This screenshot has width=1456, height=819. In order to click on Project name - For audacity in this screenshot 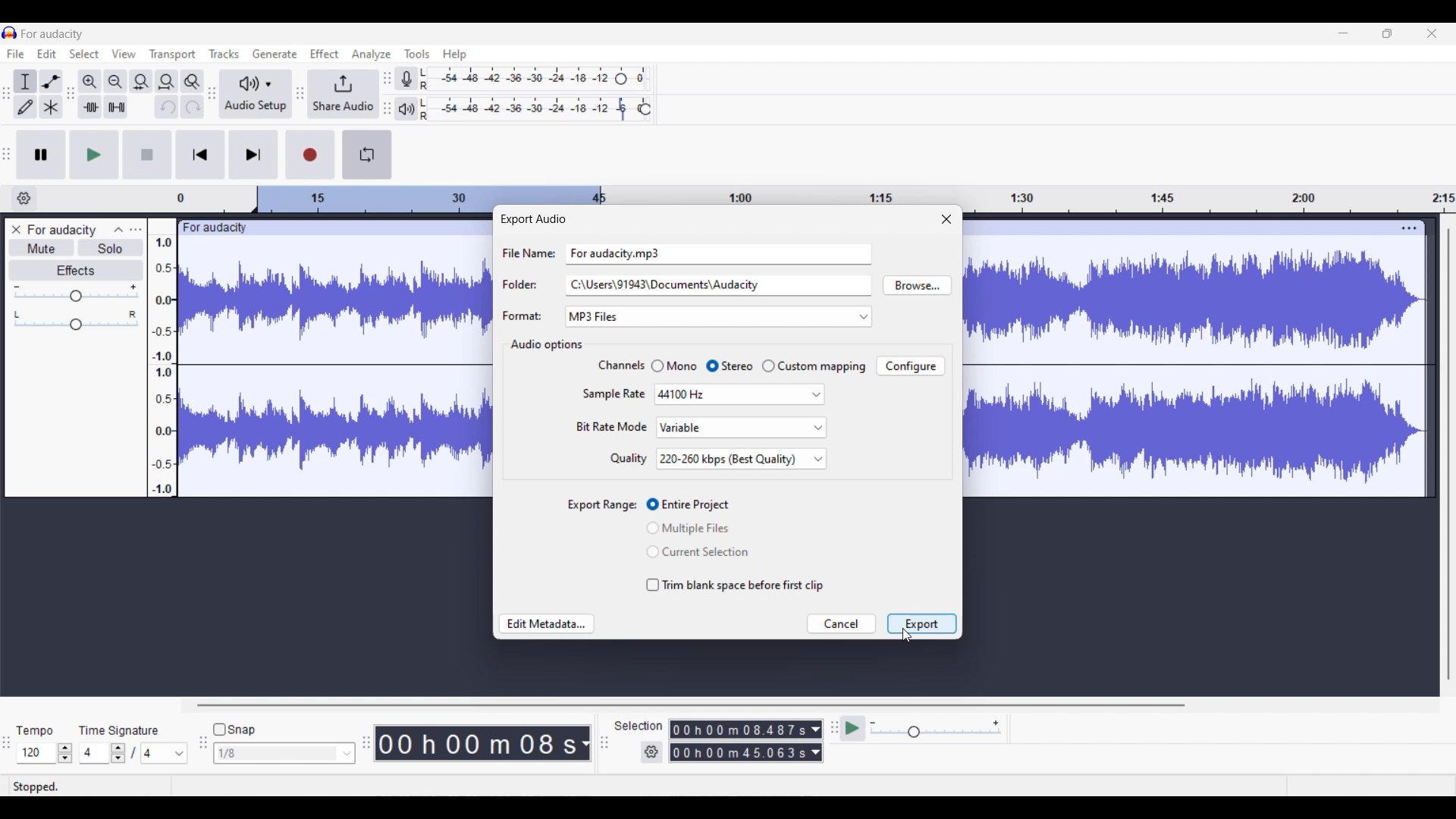, I will do `click(53, 34)`.